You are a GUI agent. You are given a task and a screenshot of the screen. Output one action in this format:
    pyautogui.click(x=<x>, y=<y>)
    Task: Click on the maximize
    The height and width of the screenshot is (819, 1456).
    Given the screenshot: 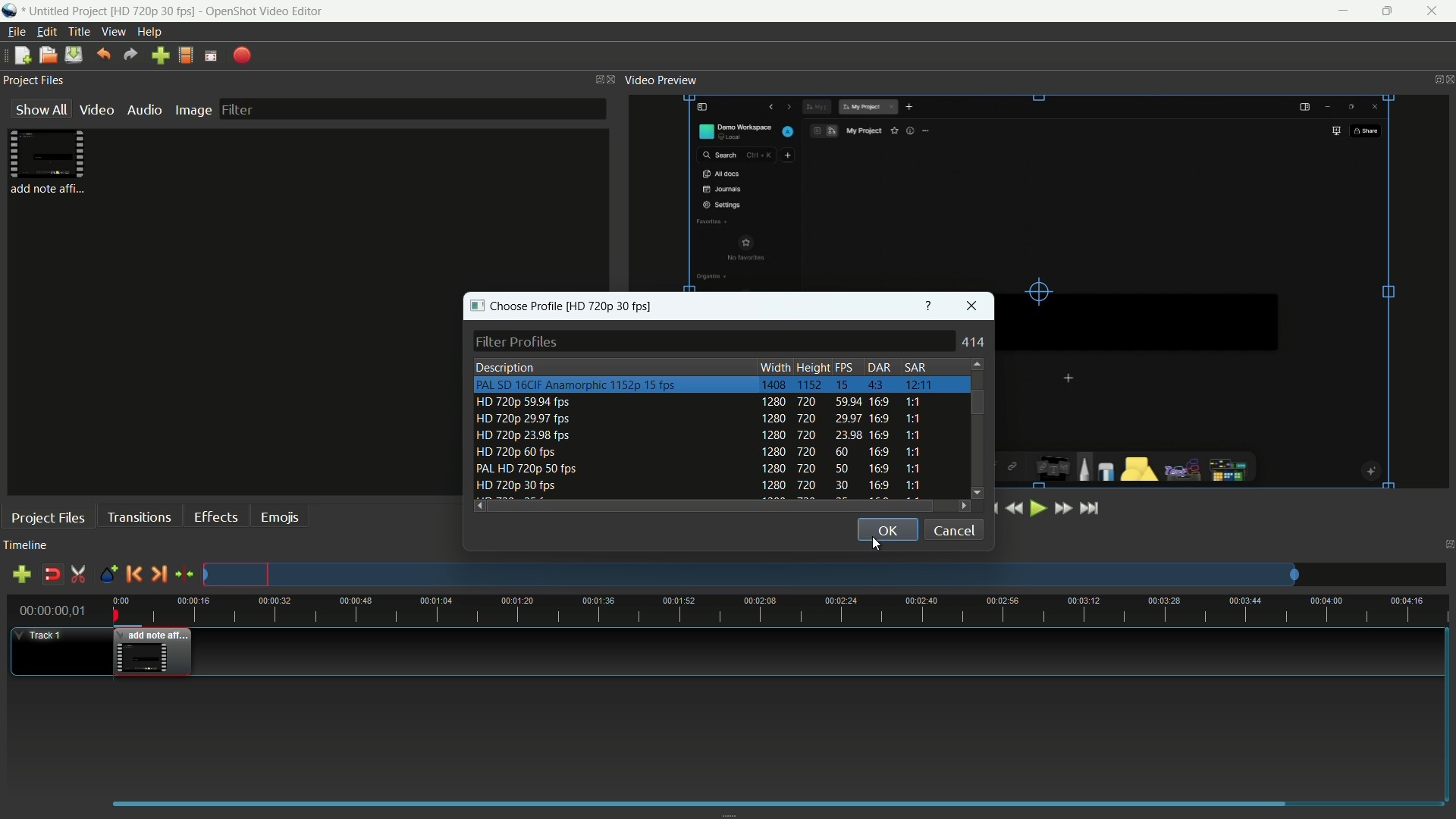 What is the action you would take?
    pyautogui.click(x=1389, y=11)
    